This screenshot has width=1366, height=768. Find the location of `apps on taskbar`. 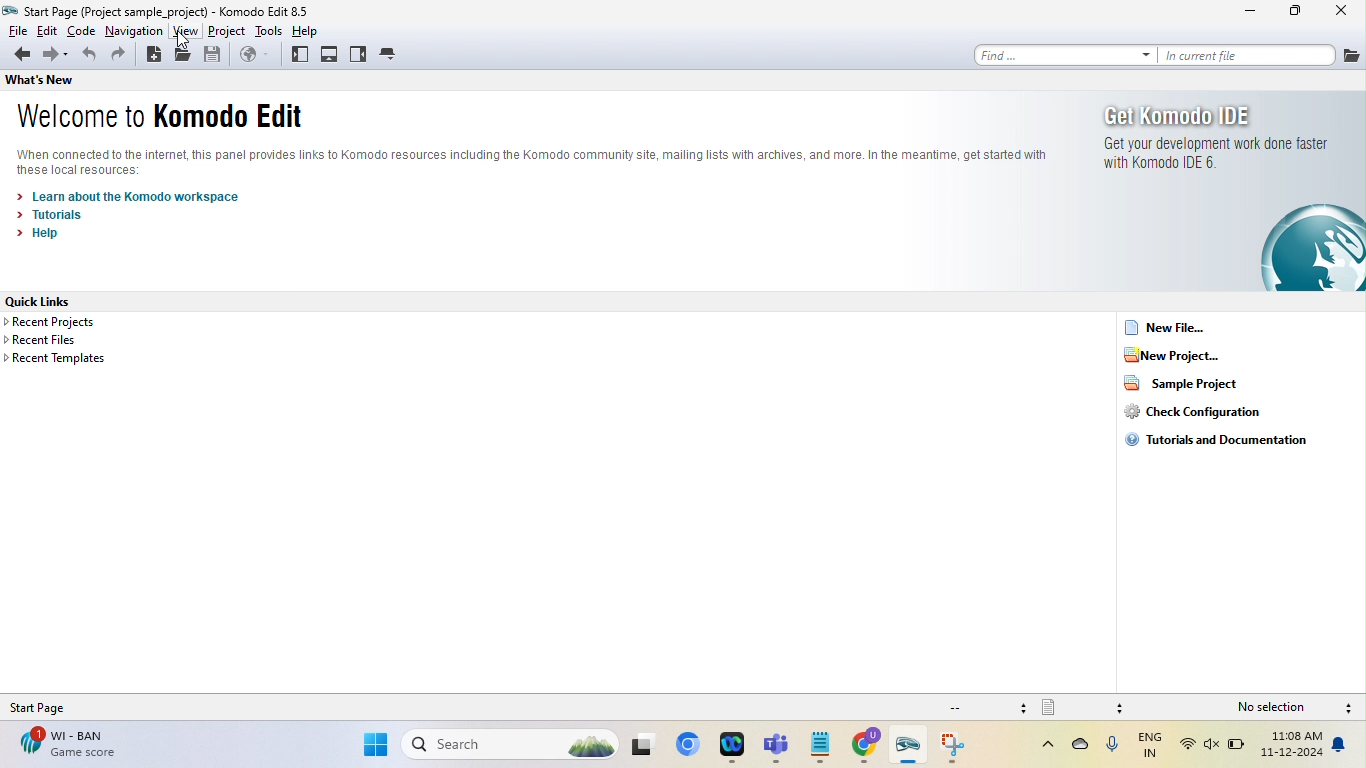

apps on taskbar is located at coordinates (912, 748).